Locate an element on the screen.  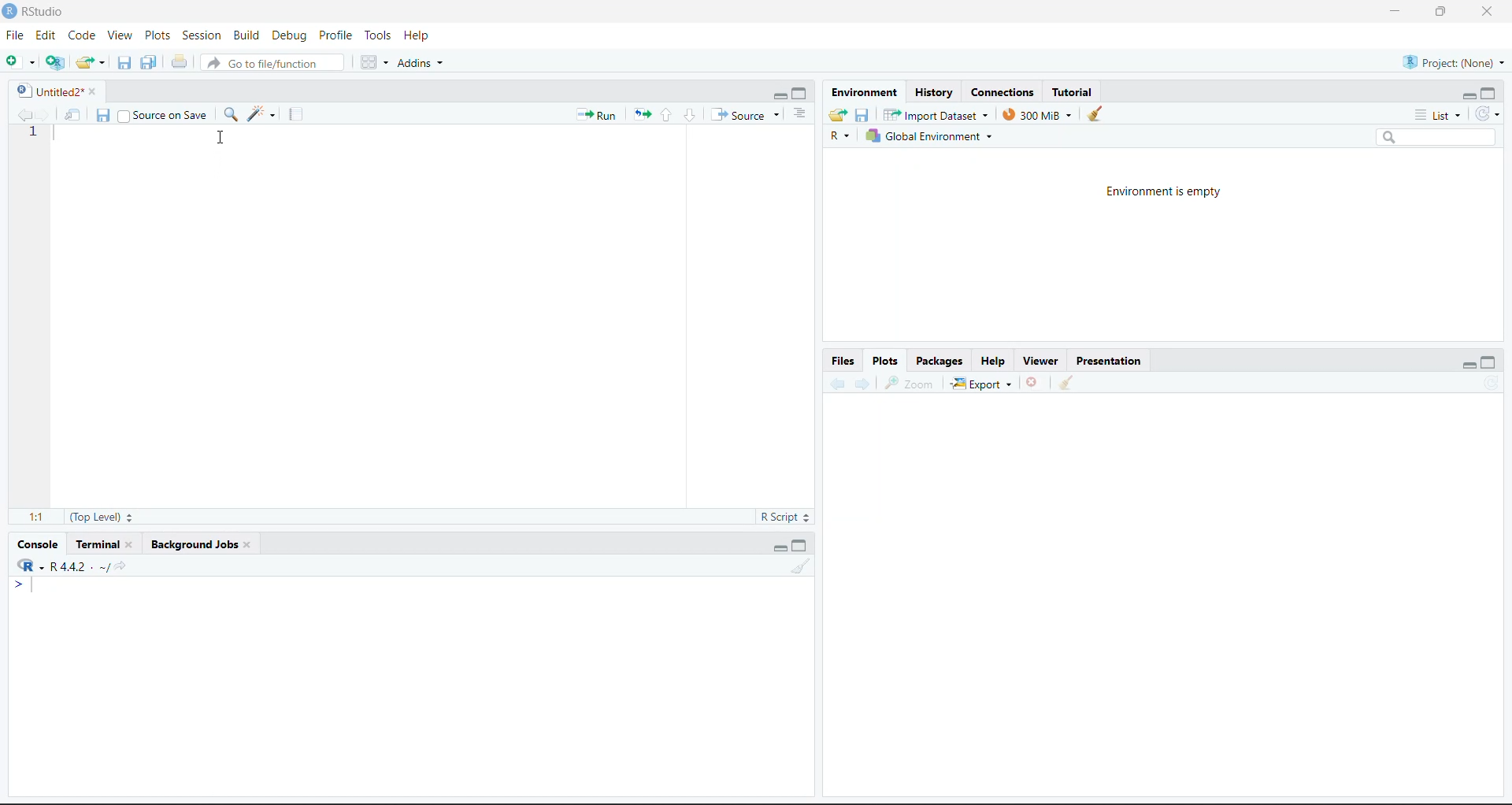
 Source  is located at coordinates (749, 115).